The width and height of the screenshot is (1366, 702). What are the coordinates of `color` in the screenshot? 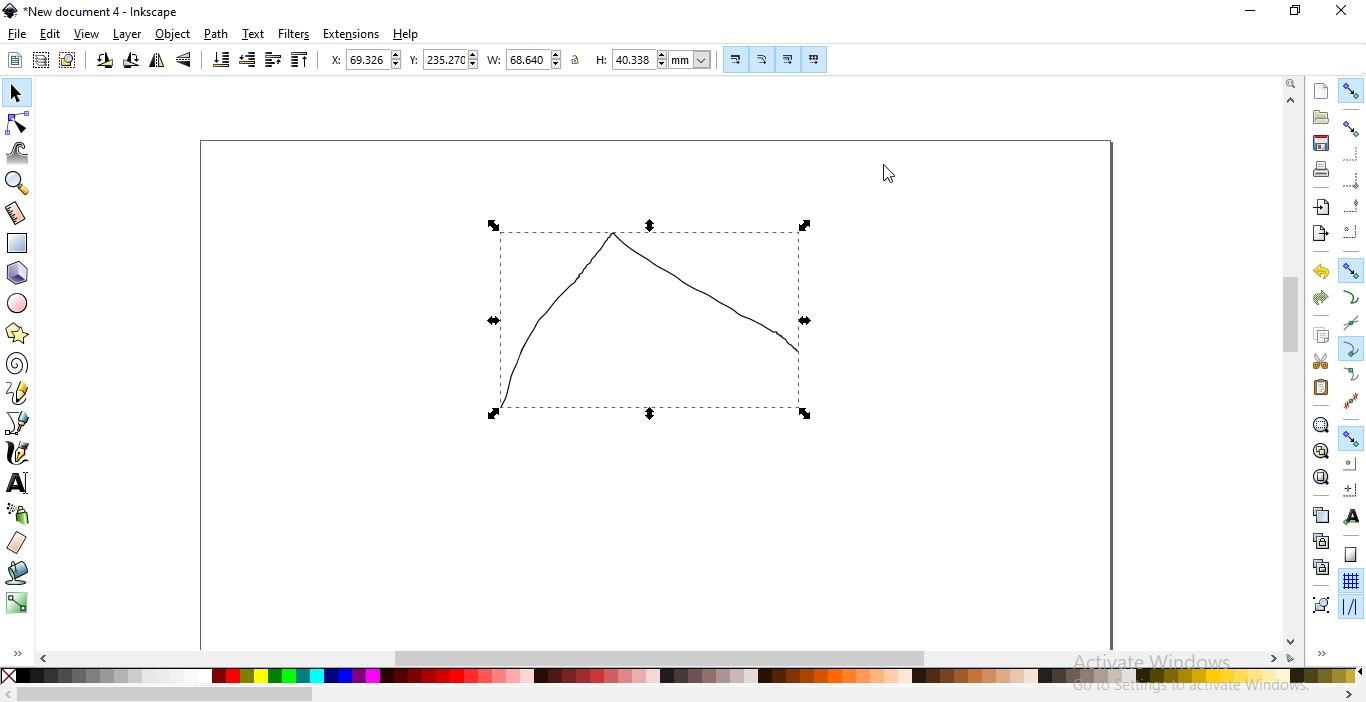 It's located at (686, 678).